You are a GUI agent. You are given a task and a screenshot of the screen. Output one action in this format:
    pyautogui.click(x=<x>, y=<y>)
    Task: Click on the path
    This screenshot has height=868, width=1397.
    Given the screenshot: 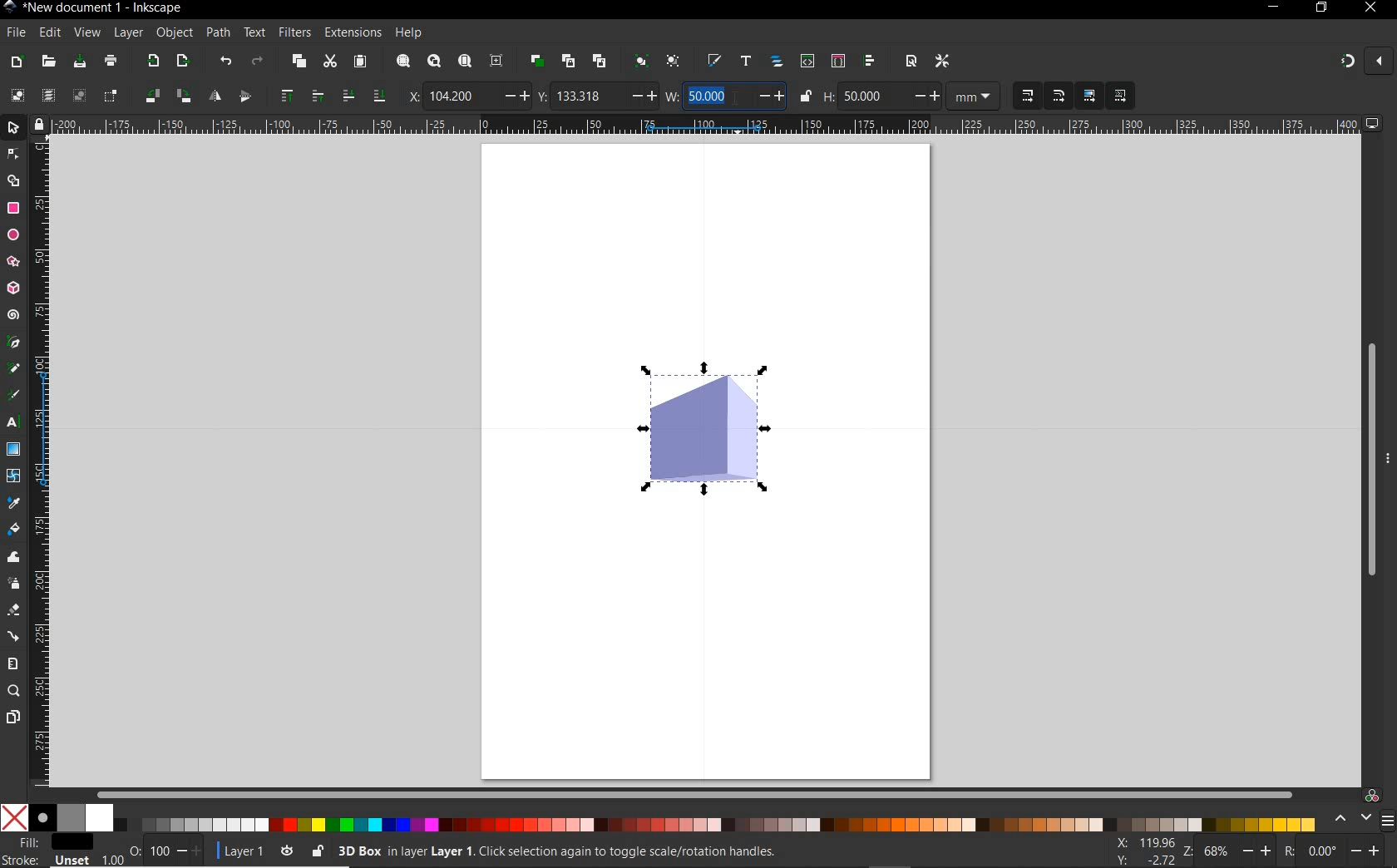 What is the action you would take?
    pyautogui.click(x=216, y=32)
    